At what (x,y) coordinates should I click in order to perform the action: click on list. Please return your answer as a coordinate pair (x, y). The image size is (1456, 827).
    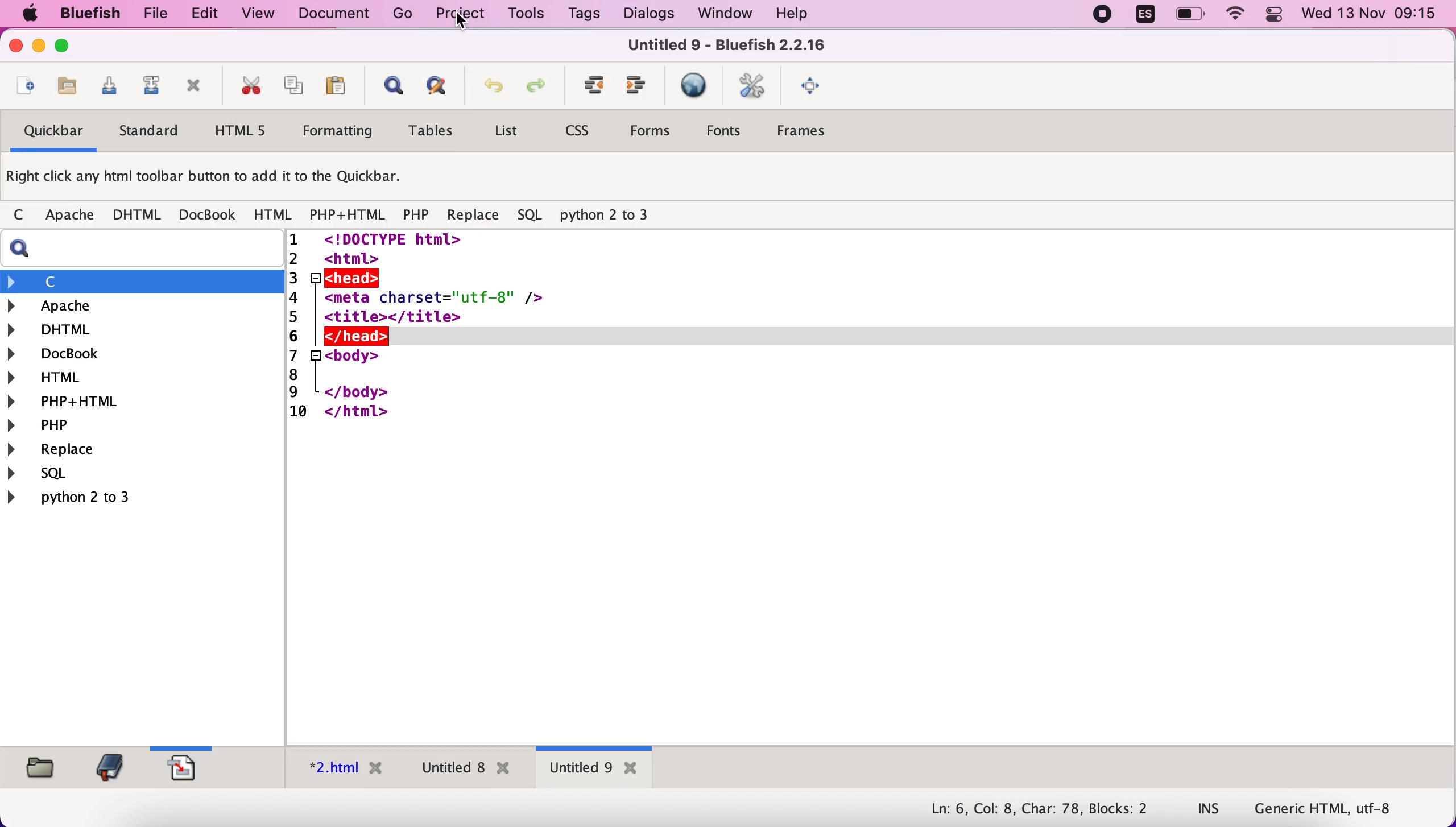
    Looking at the image, I should click on (506, 133).